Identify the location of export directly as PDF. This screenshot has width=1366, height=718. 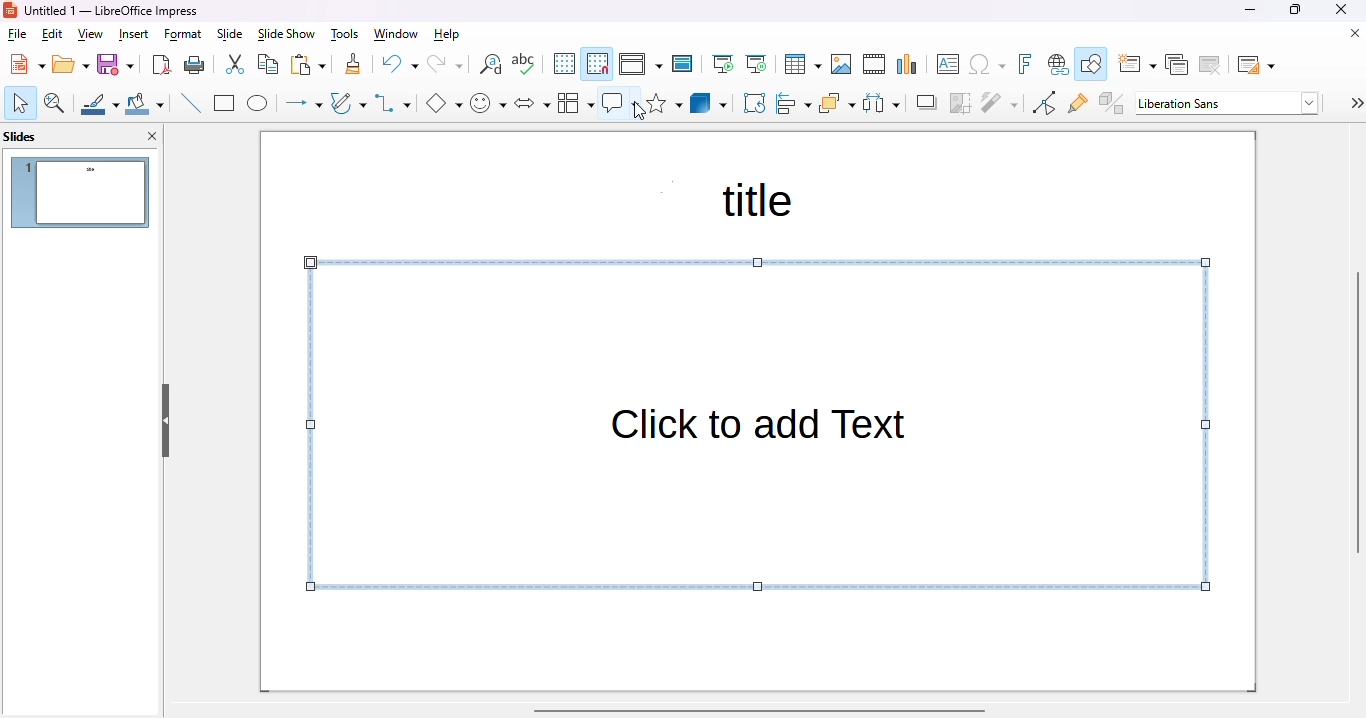
(163, 65).